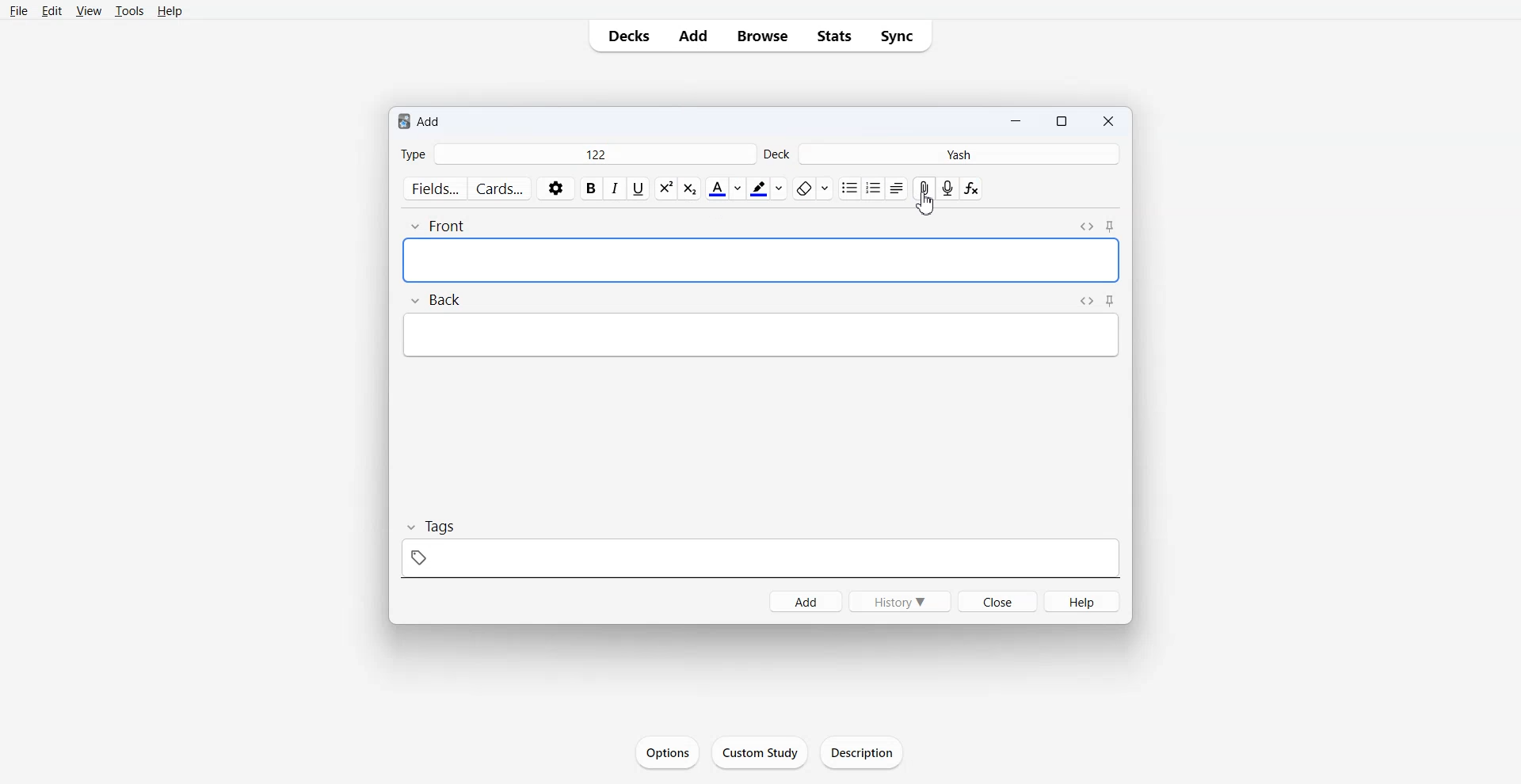 This screenshot has height=784, width=1521. What do you see at coordinates (997, 599) in the screenshot?
I see `Close` at bounding box center [997, 599].